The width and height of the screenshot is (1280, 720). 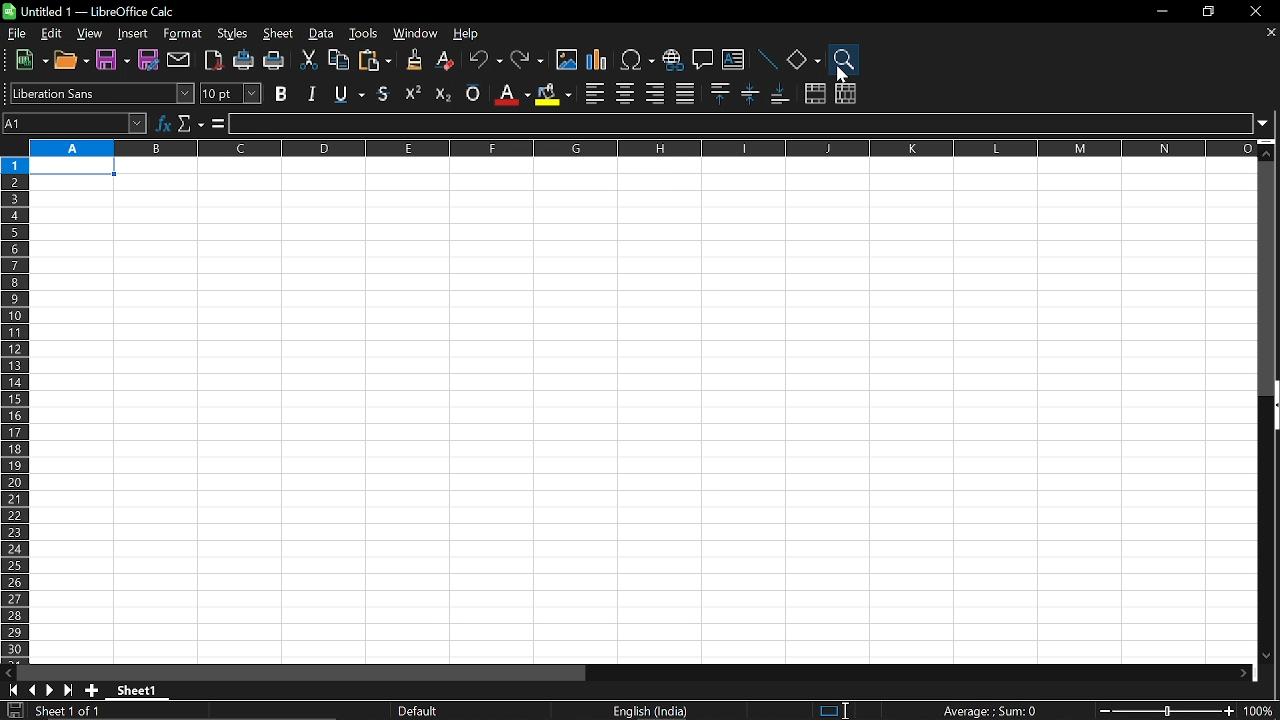 I want to click on bold, so click(x=283, y=93).